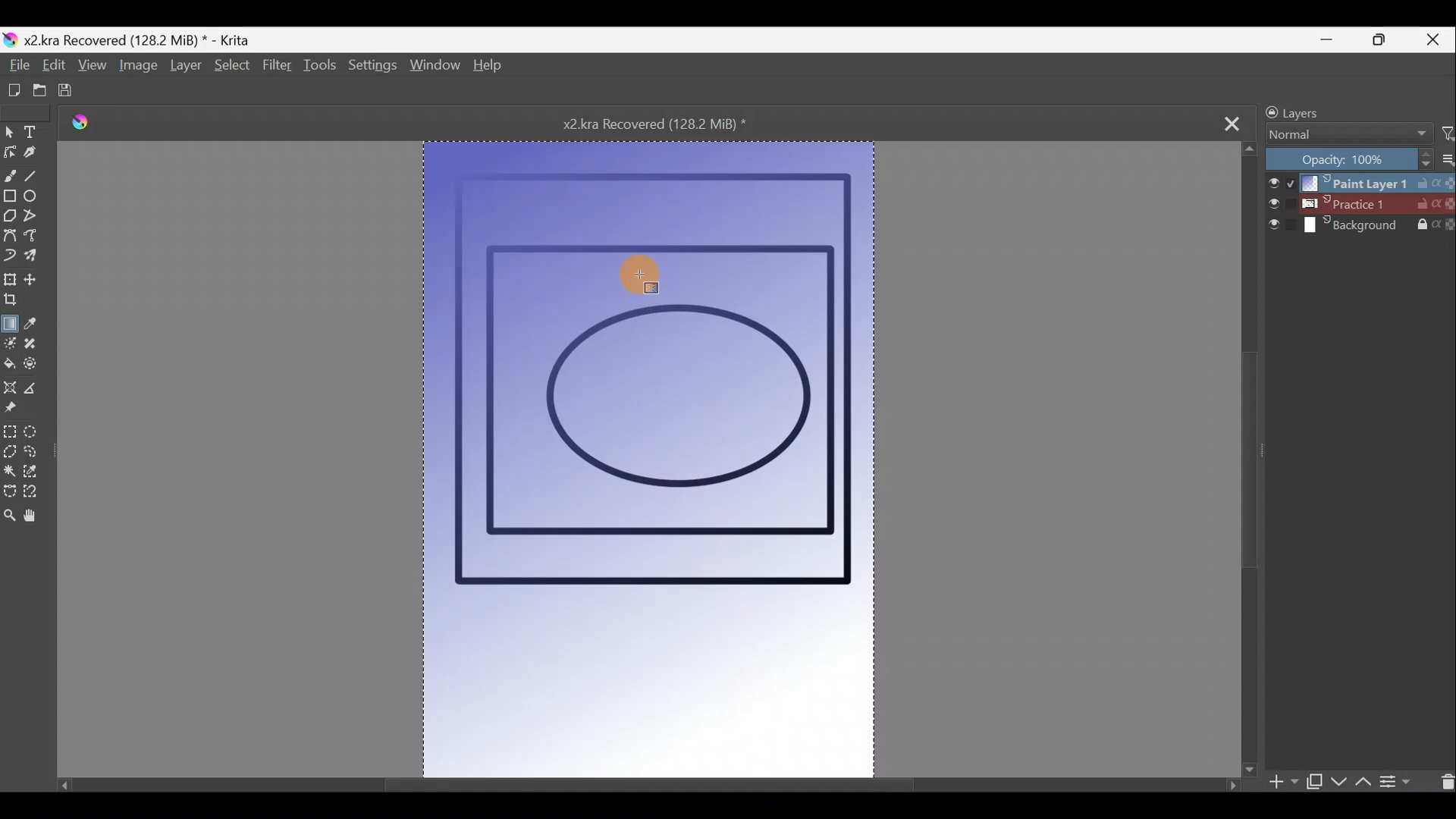  Describe the element at coordinates (33, 498) in the screenshot. I see `Magnetic curve selection tool` at that location.